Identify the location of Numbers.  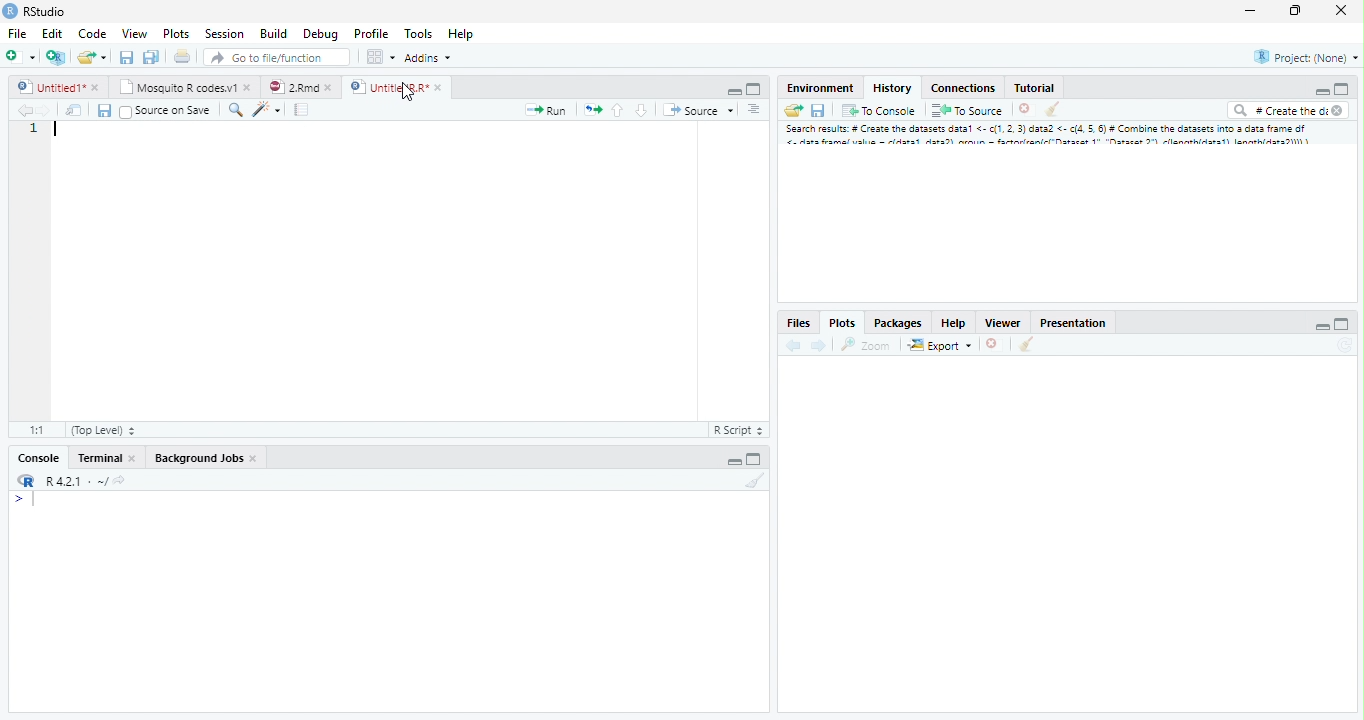
(43, 136).